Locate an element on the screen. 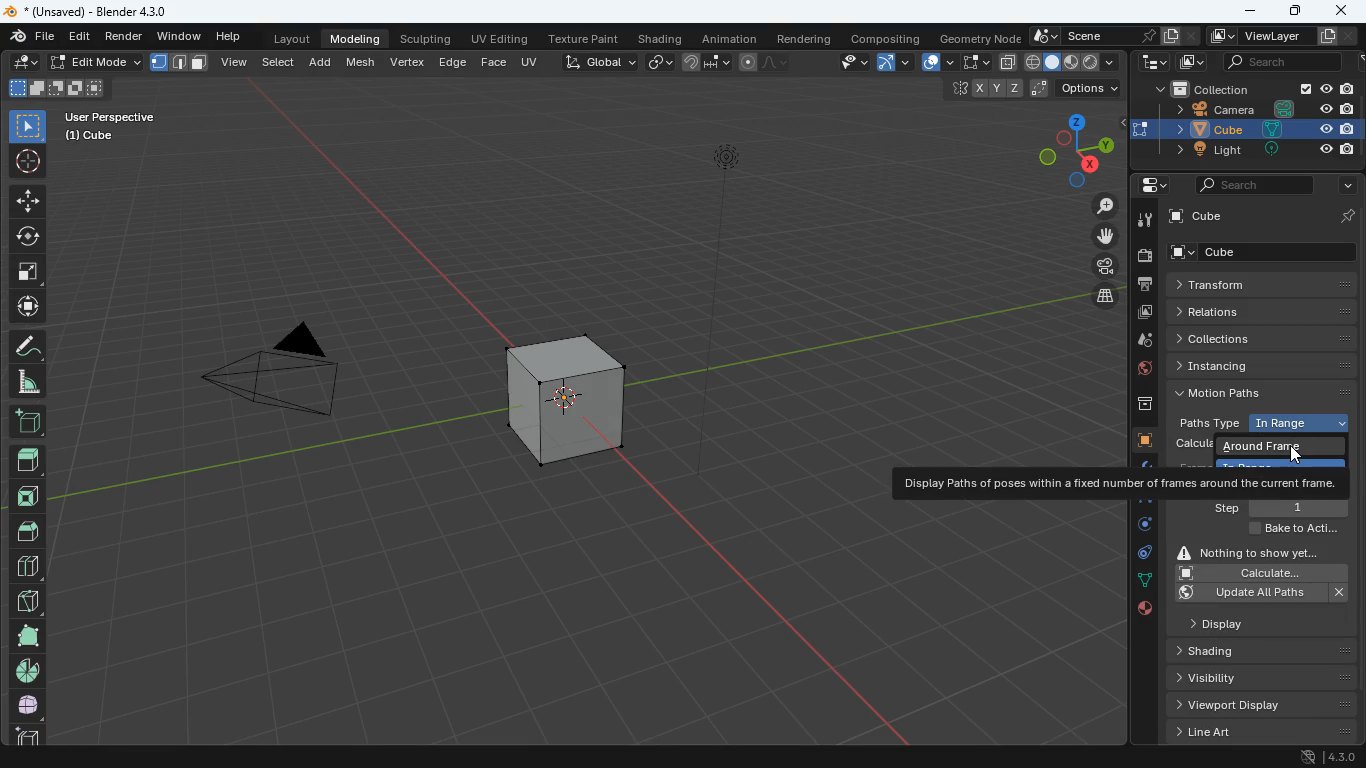 The image size is (1366, 768). animation is located at coordinates (733, 39).